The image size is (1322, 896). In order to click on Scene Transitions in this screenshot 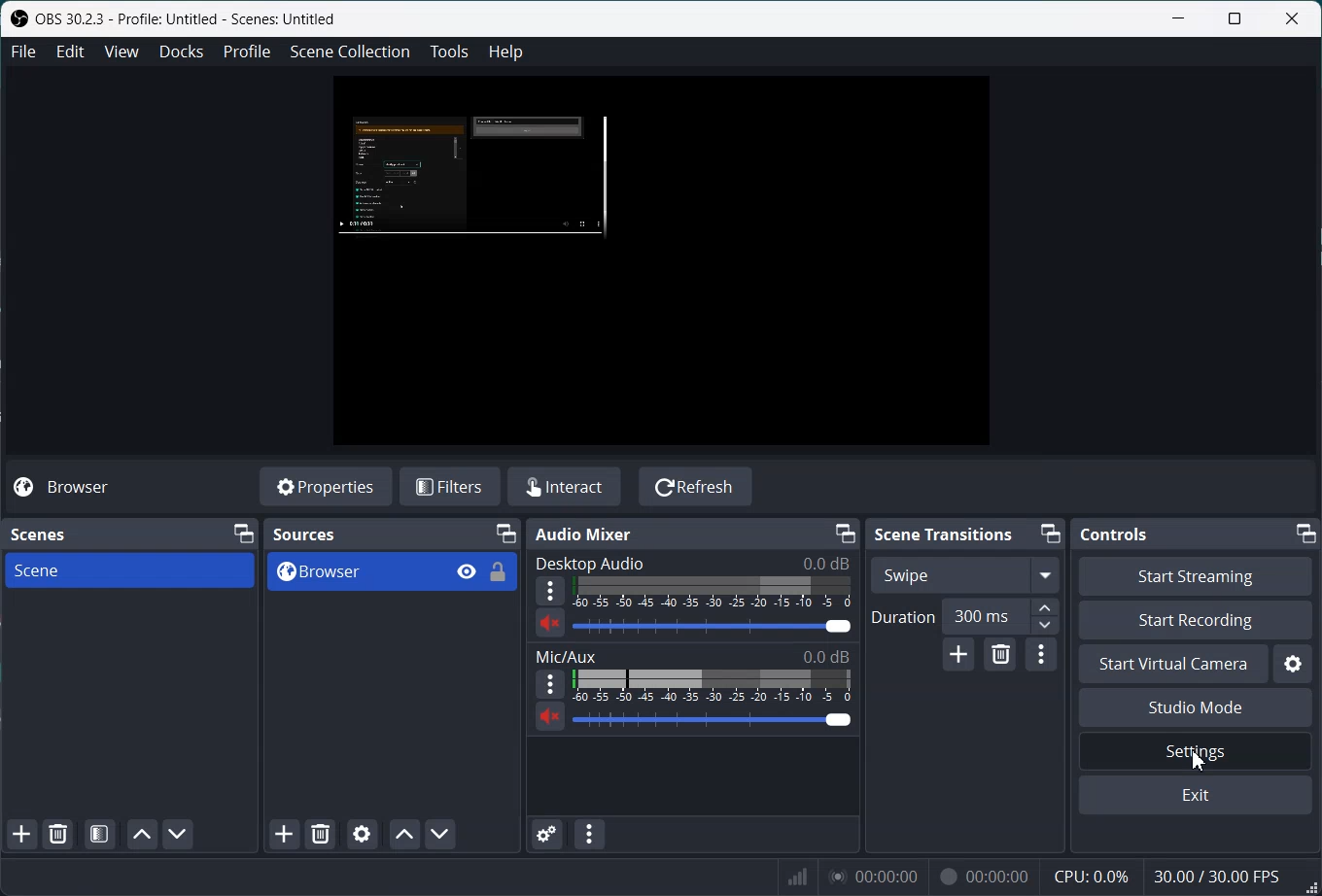, I will do `click(944, 535)`.